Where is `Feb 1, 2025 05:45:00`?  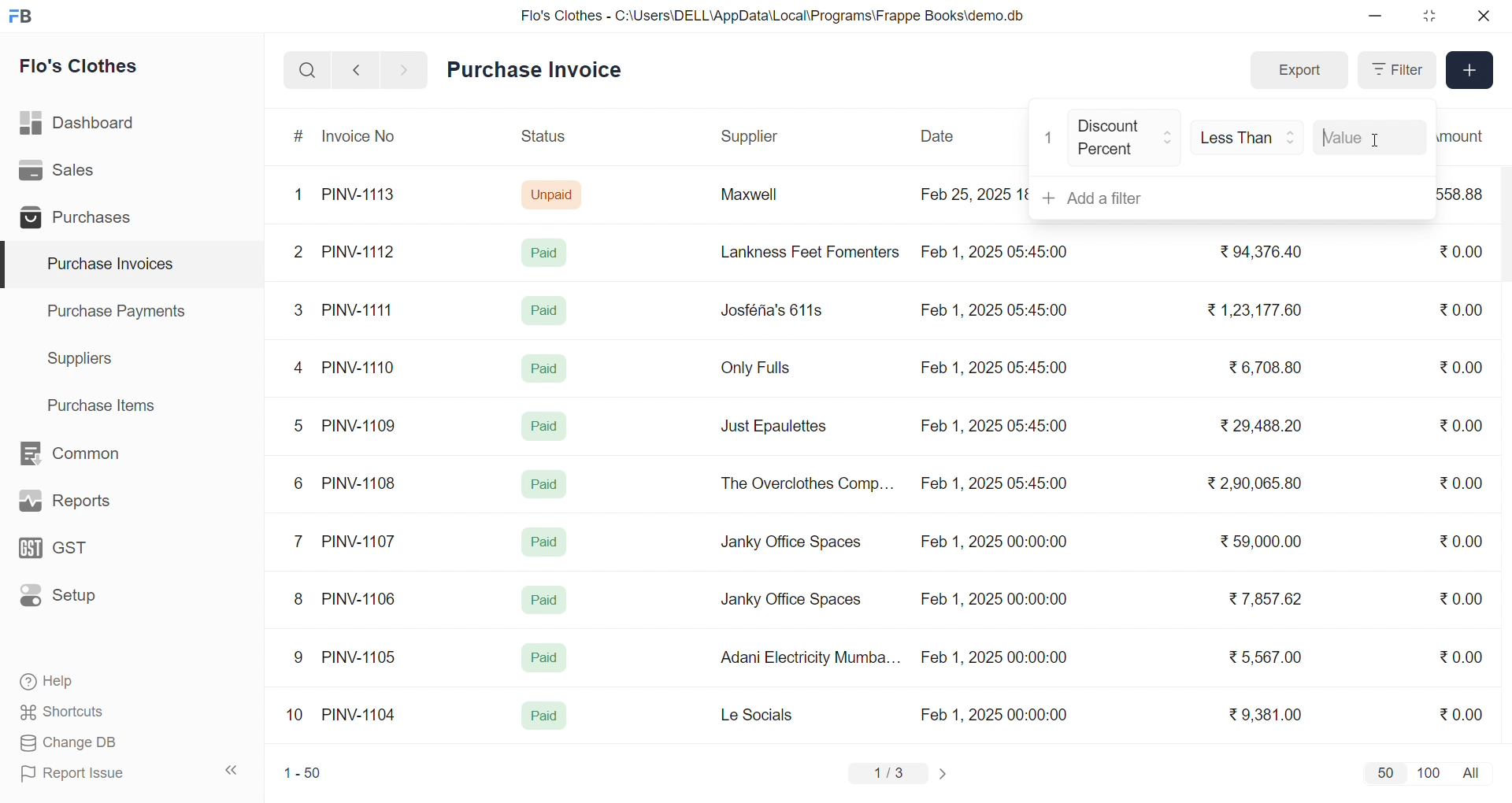
Feb 1, 2025 05:45:00 is located at coordinates (998, 250).